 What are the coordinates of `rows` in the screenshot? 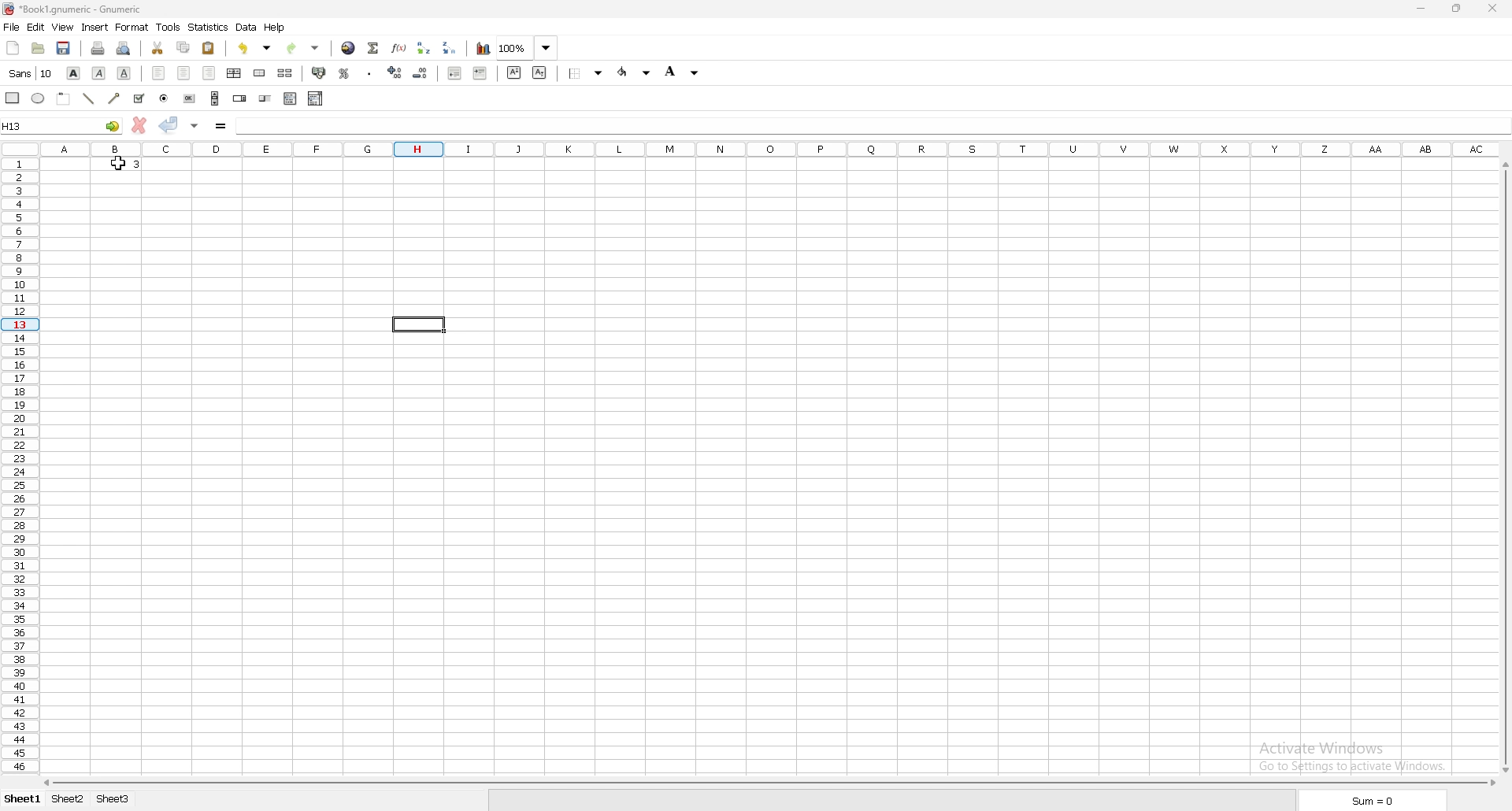 It's located at (17, 464).